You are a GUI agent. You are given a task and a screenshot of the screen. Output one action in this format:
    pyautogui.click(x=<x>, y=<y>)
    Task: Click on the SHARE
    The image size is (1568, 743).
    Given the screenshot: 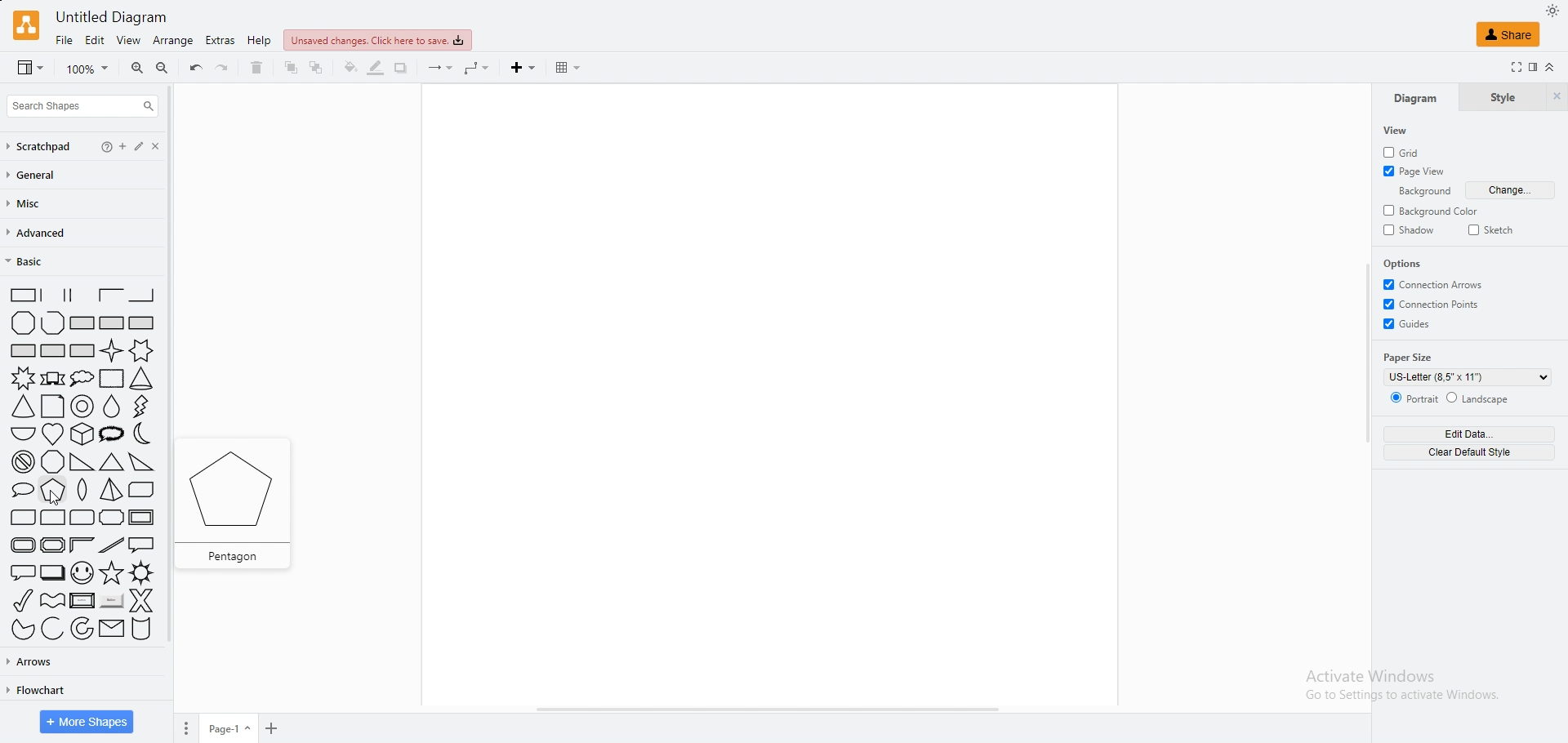 What is the action you would take?
    pyautogui.click(x=1509, y=33)
    